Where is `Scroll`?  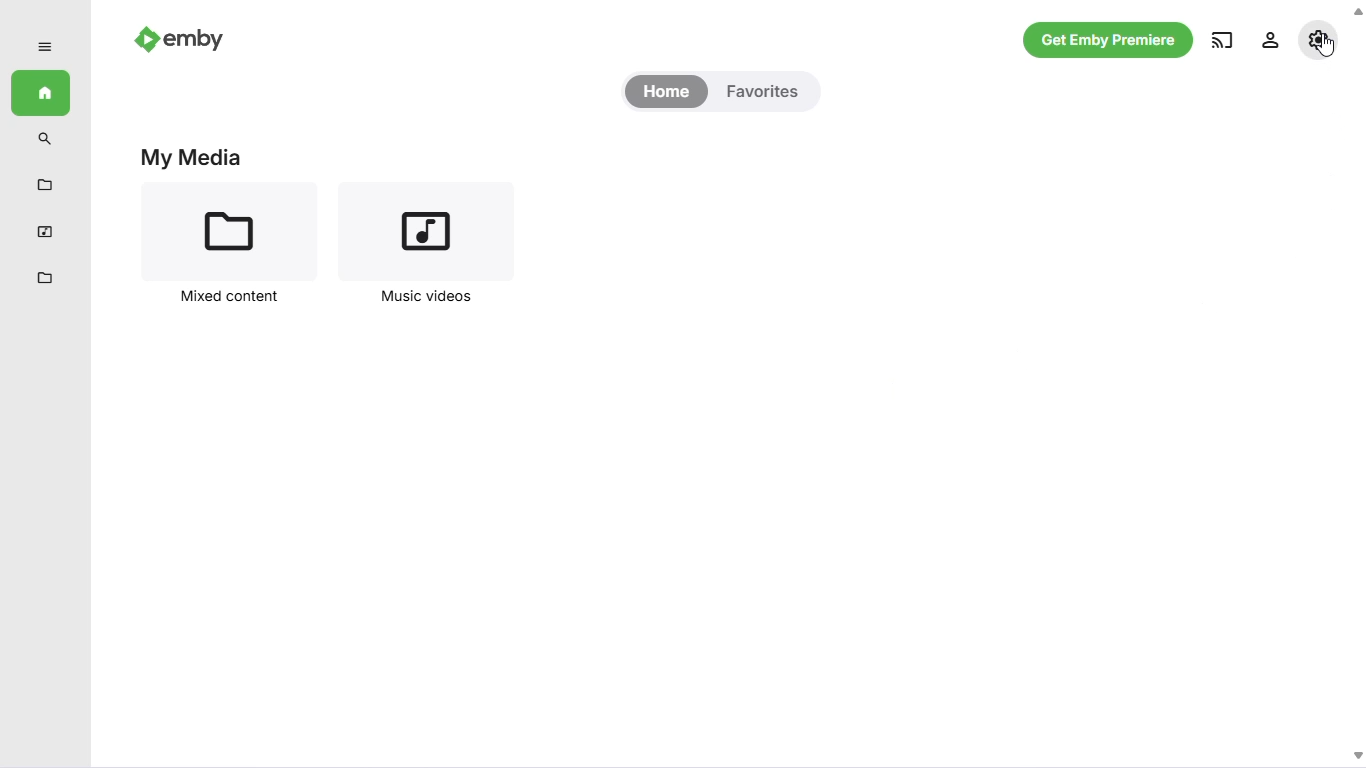 Scroll is located at coordinates (1354, 385).